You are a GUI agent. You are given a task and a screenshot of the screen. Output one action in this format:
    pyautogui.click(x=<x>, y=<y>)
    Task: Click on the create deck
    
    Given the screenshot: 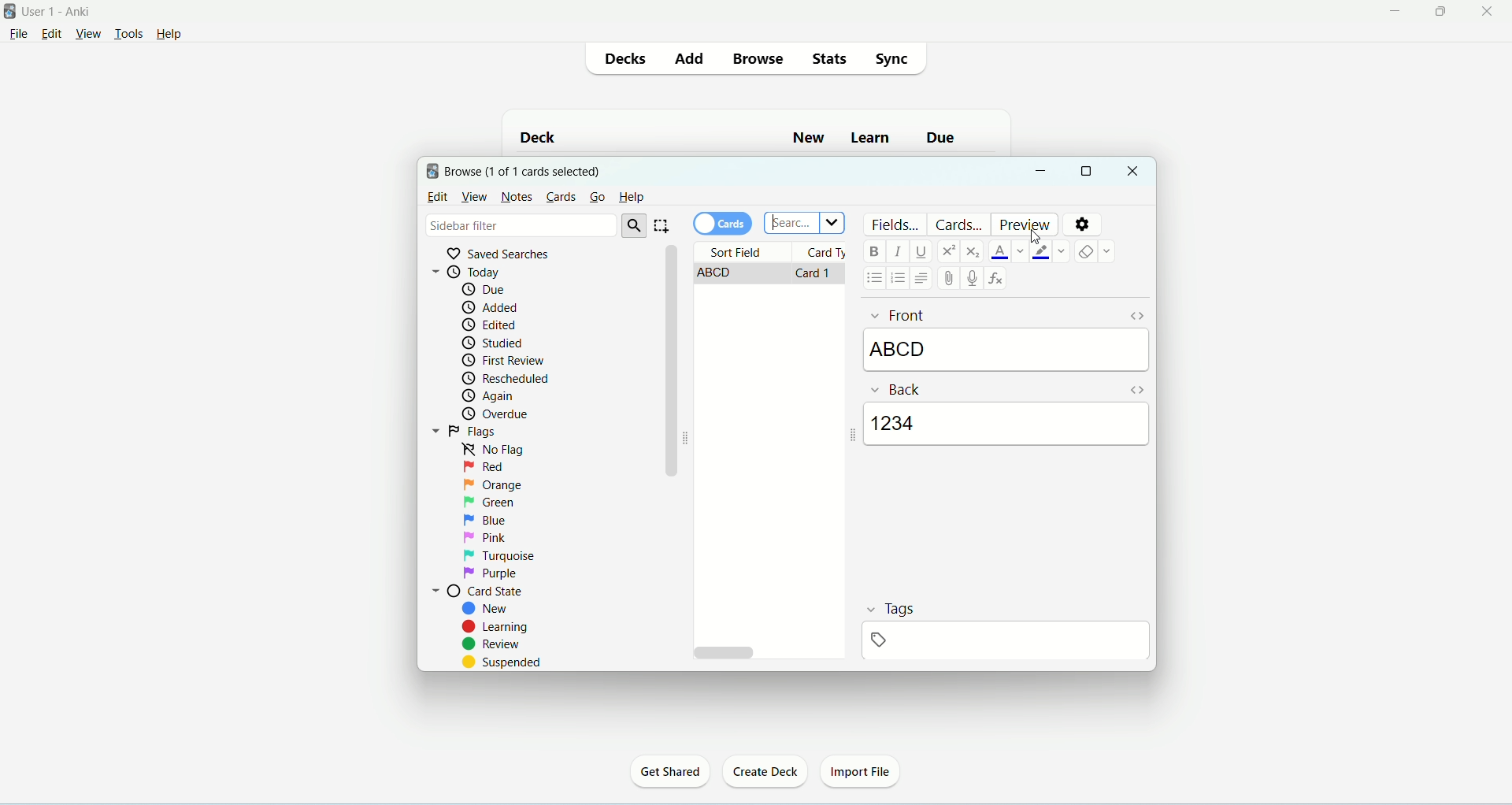 What is the action you would take?
    pyautogui.click(x=765, y=771)
    